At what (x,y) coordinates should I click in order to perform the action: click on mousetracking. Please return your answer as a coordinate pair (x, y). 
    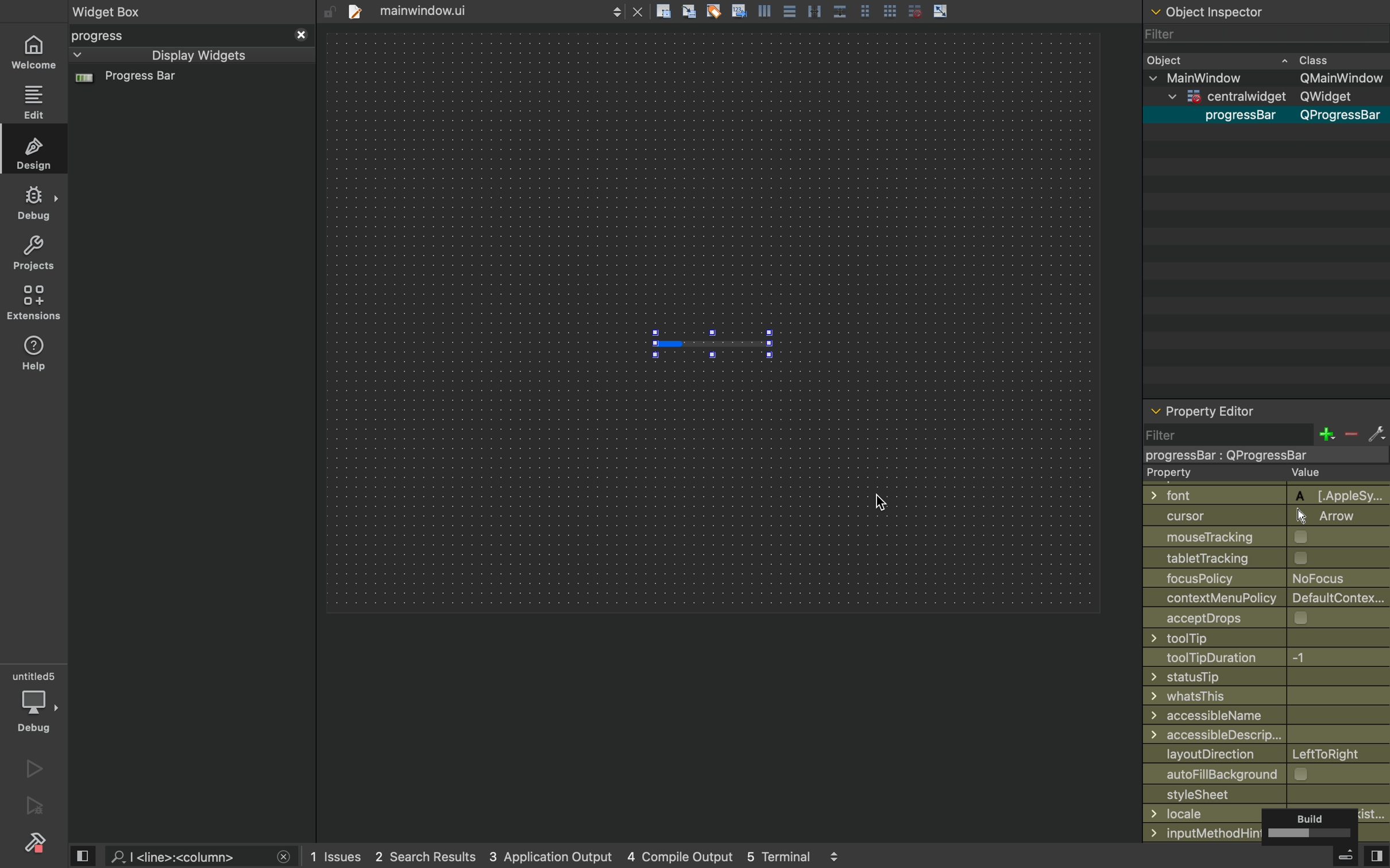
    Looking at the image, I should click on (1262, 537).